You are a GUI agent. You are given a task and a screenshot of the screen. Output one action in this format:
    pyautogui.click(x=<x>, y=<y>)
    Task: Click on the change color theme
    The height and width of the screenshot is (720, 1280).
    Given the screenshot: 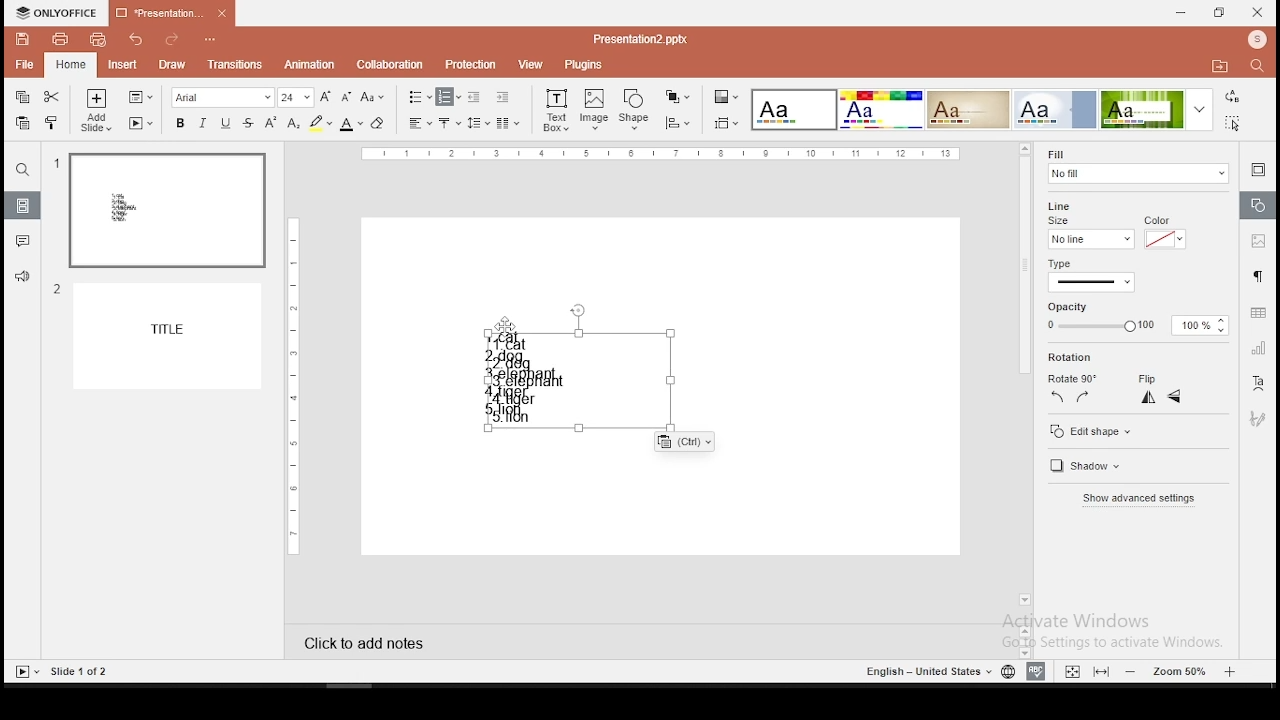 What is the action you would take?
    pyautogui.click(x=726, y=96)
    